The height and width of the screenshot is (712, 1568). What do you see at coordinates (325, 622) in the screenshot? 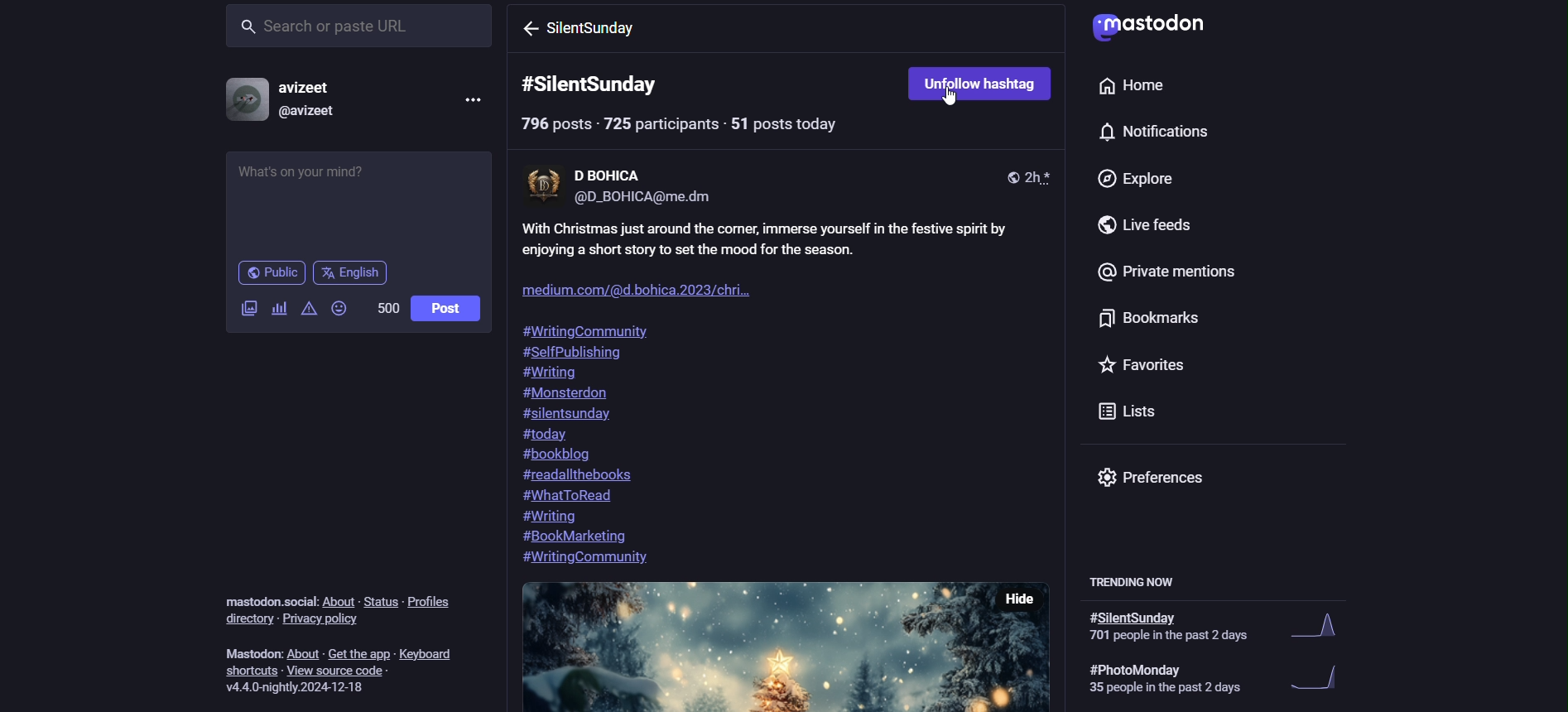
I see `privacy policy` at bounding box center [325, 622].